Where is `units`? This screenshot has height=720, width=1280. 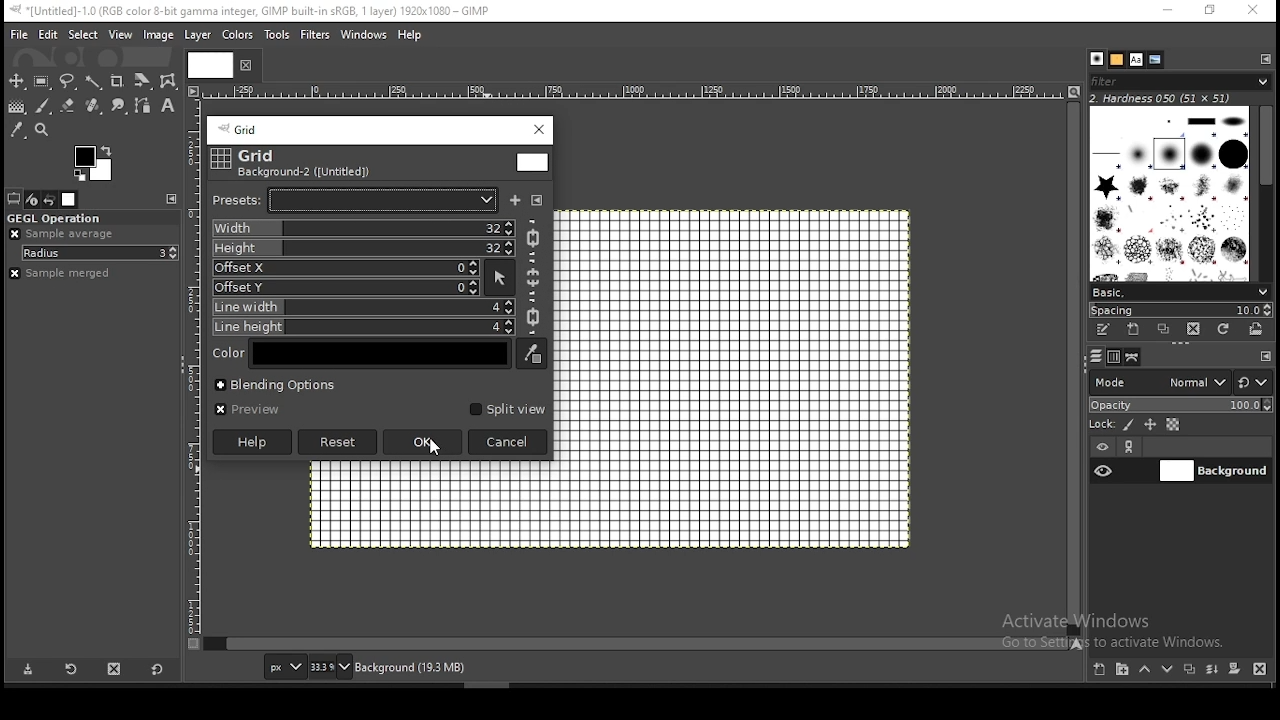 units is located at coordinates (284, 666).